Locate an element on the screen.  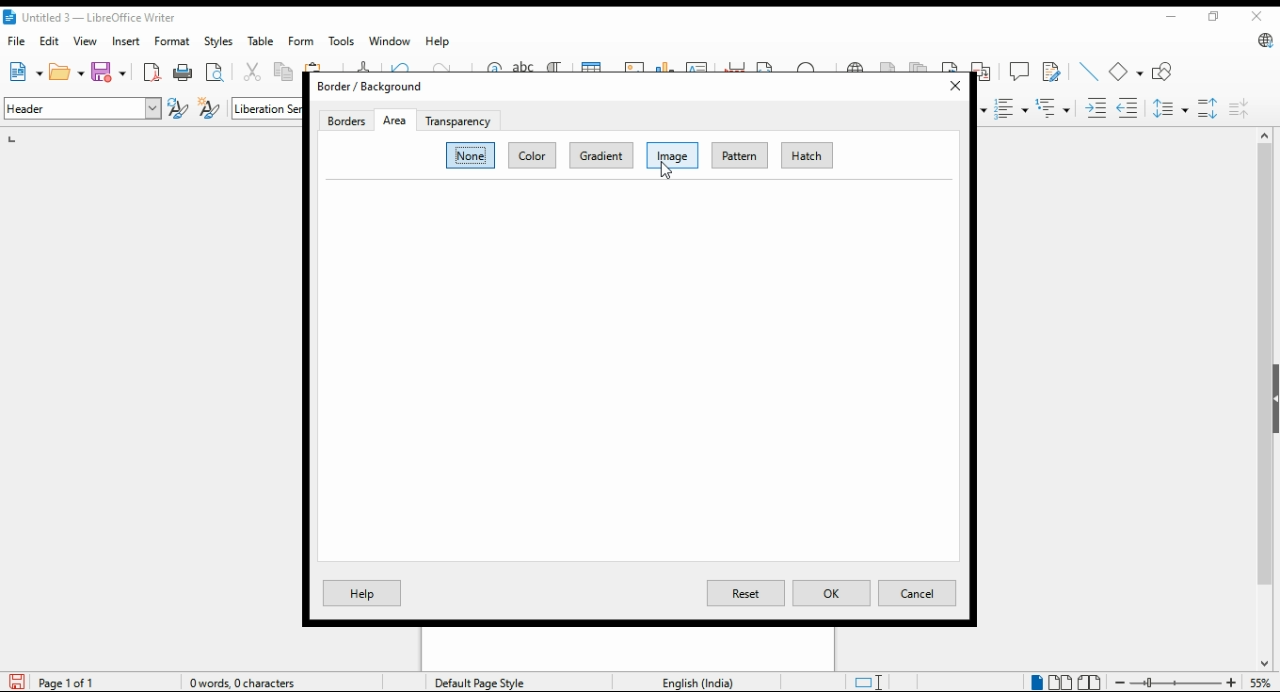
gradient is located at coordinates (598, 155).